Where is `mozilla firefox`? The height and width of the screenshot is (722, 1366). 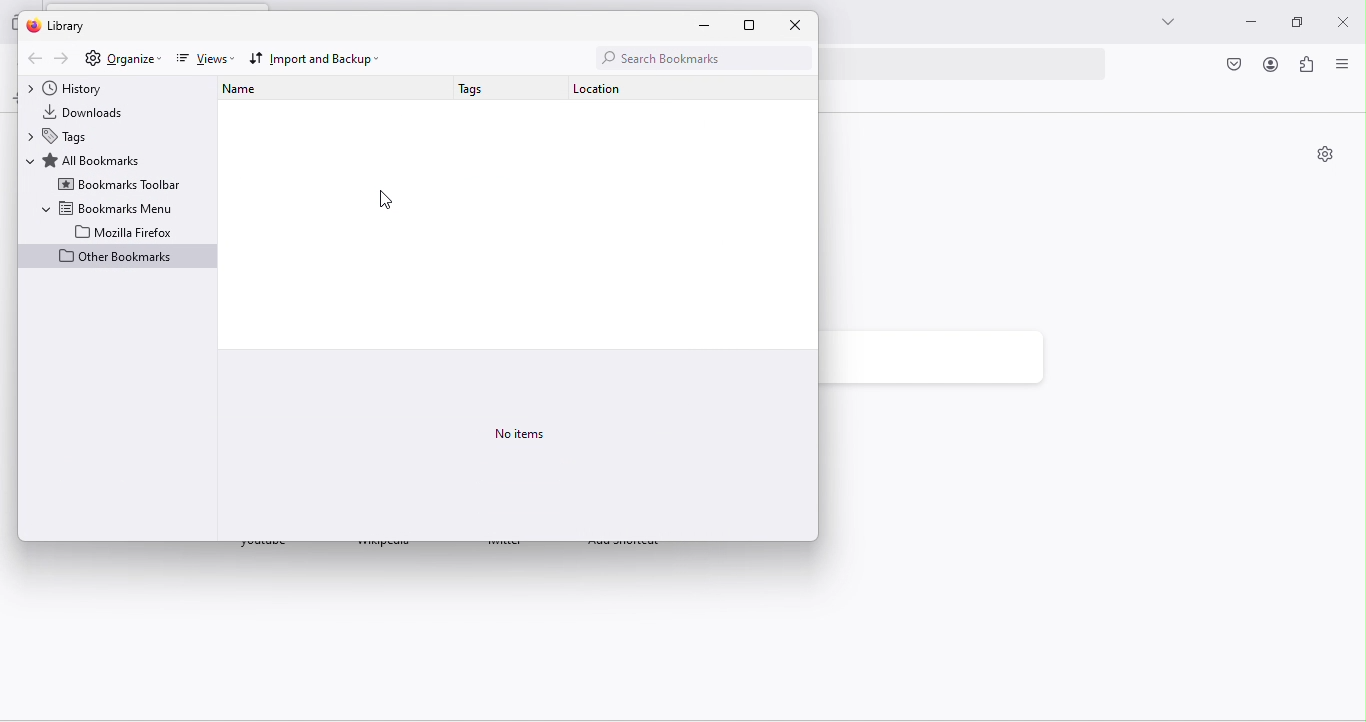 mozilla firefox is located at coordinates (125, 231).